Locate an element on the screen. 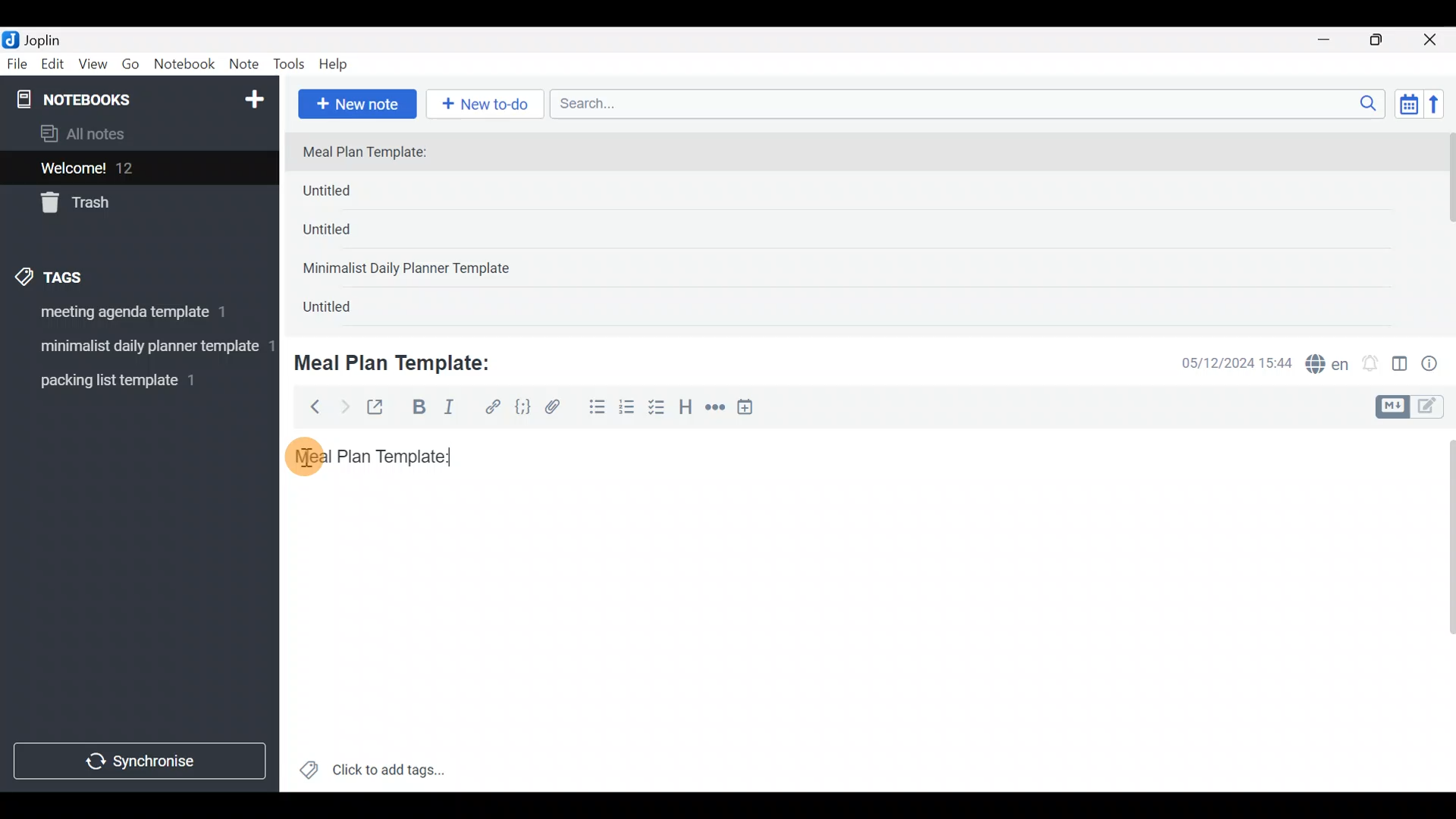 The width and height of the screenshot is (1456, 819). Synchronize is located at coordinates (142, 761).